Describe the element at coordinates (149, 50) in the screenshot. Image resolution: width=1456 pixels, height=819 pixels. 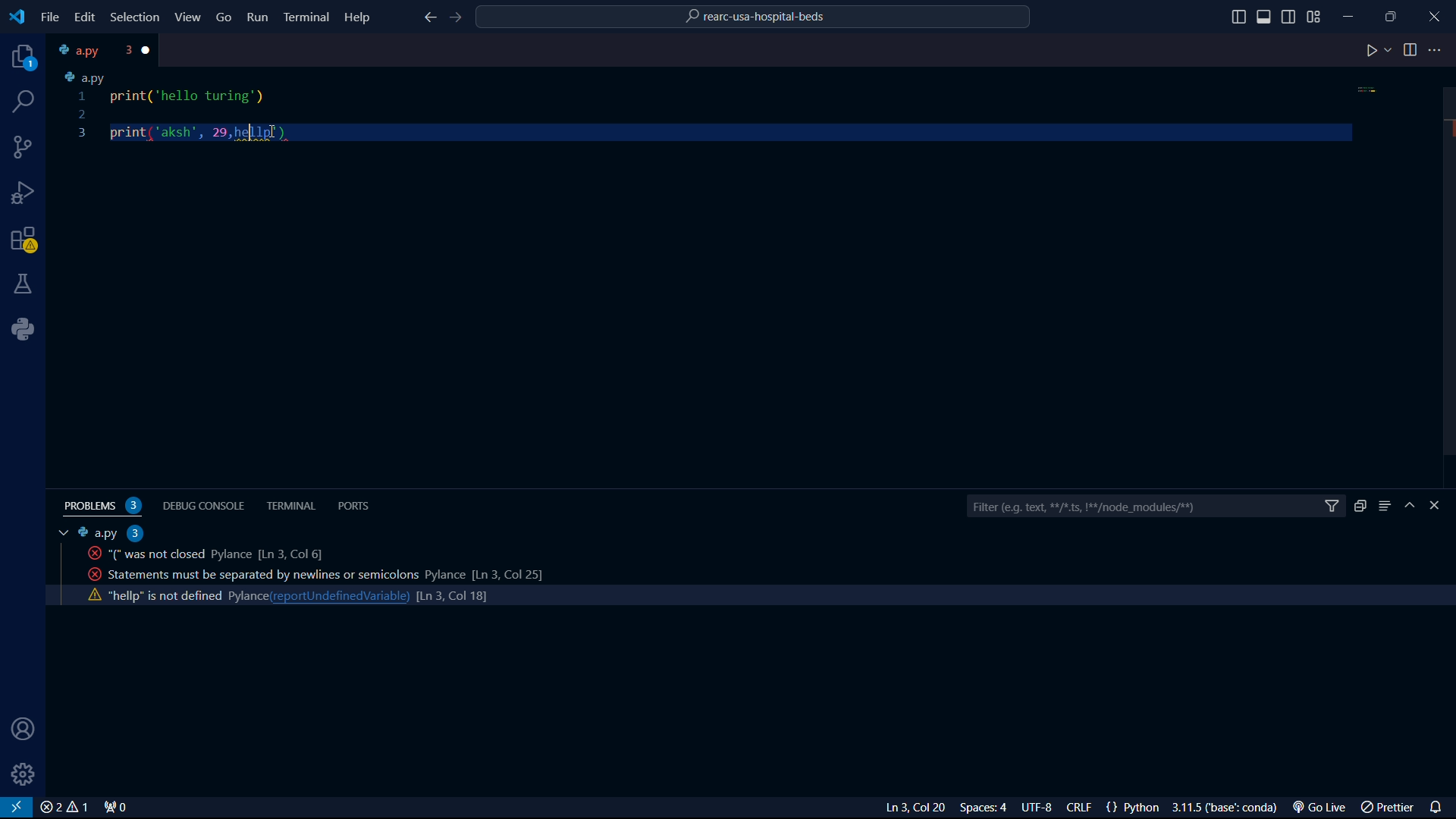
I see `close` at that location.